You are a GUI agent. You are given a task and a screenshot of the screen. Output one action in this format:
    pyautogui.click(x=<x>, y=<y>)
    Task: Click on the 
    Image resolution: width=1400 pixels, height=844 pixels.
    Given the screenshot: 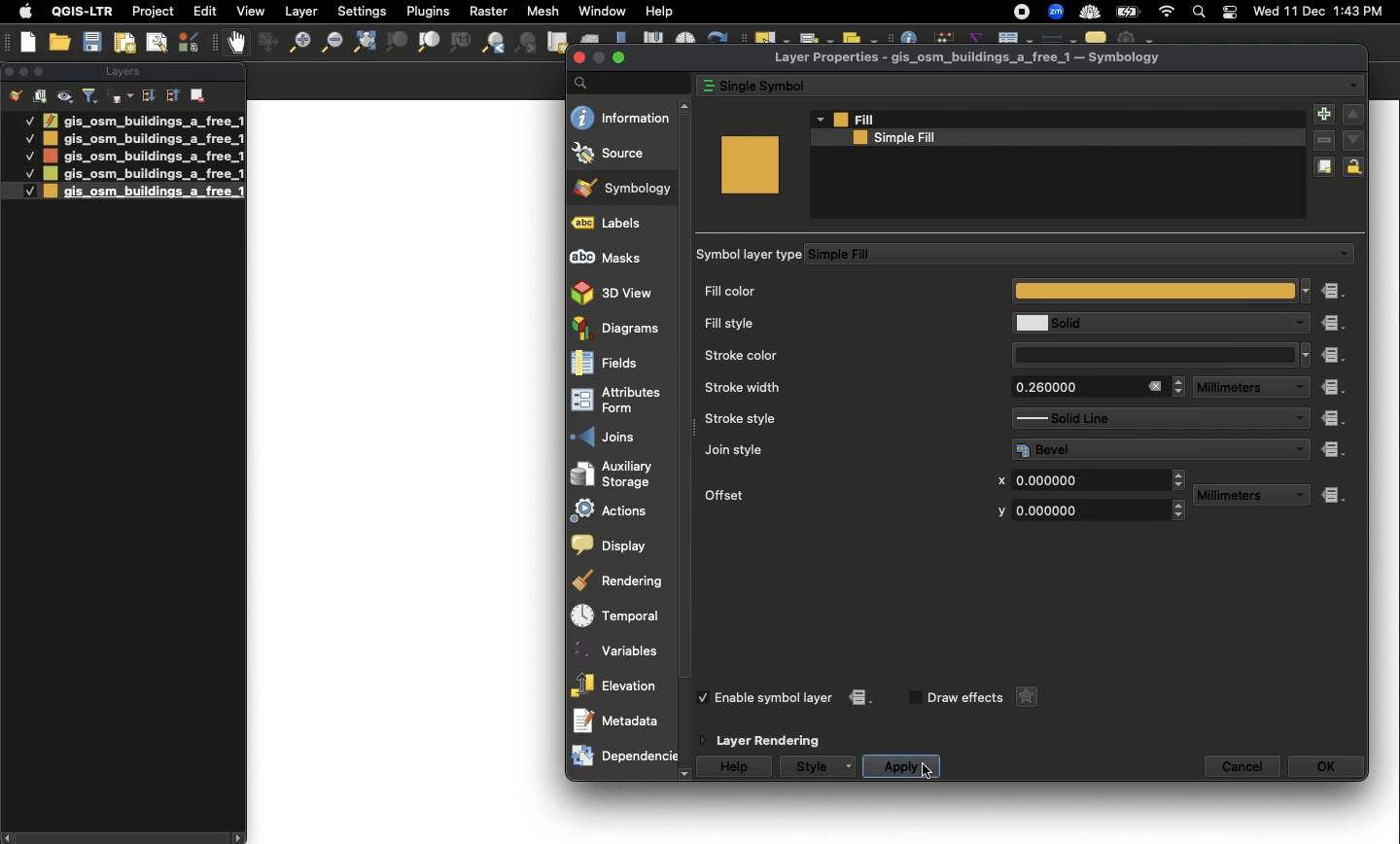 What is the action you would take?
    pyautogui.click(x=1056, y=12)
    